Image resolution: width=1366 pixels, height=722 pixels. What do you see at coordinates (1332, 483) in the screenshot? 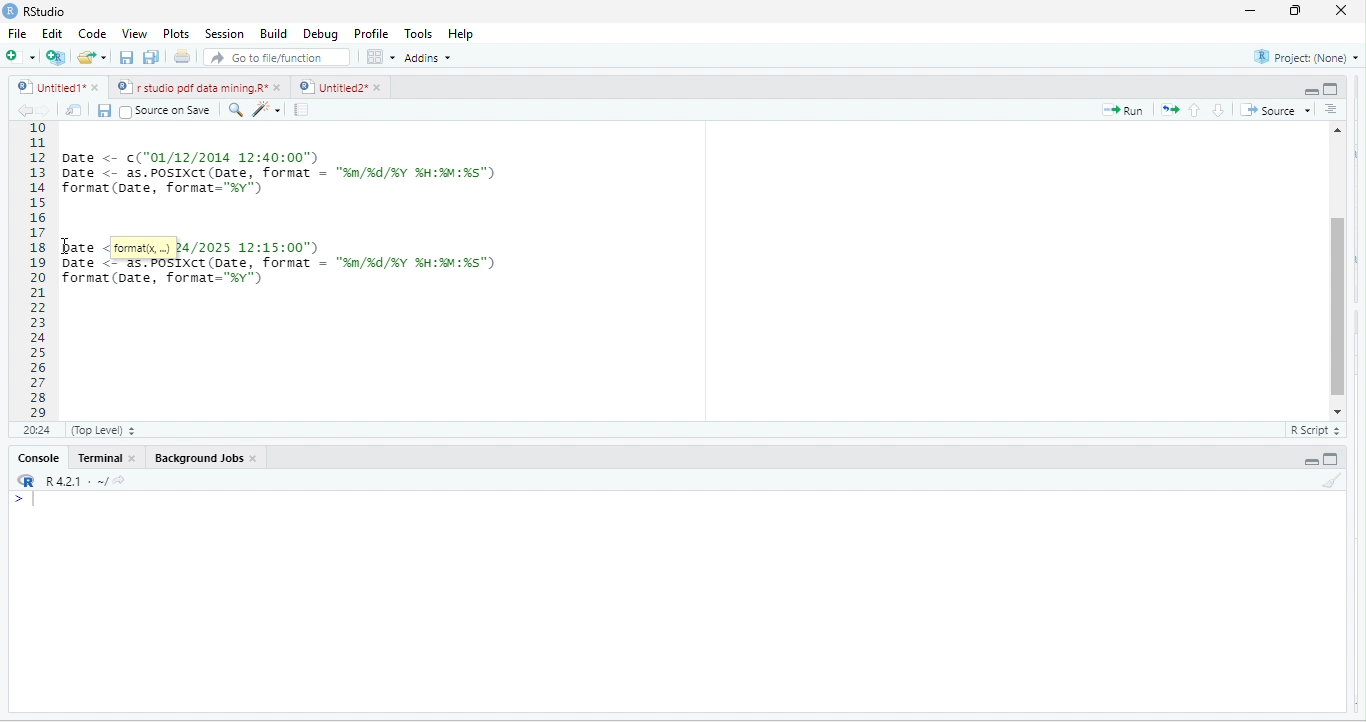
I see `clear console` at bounding box center [1332, 483].